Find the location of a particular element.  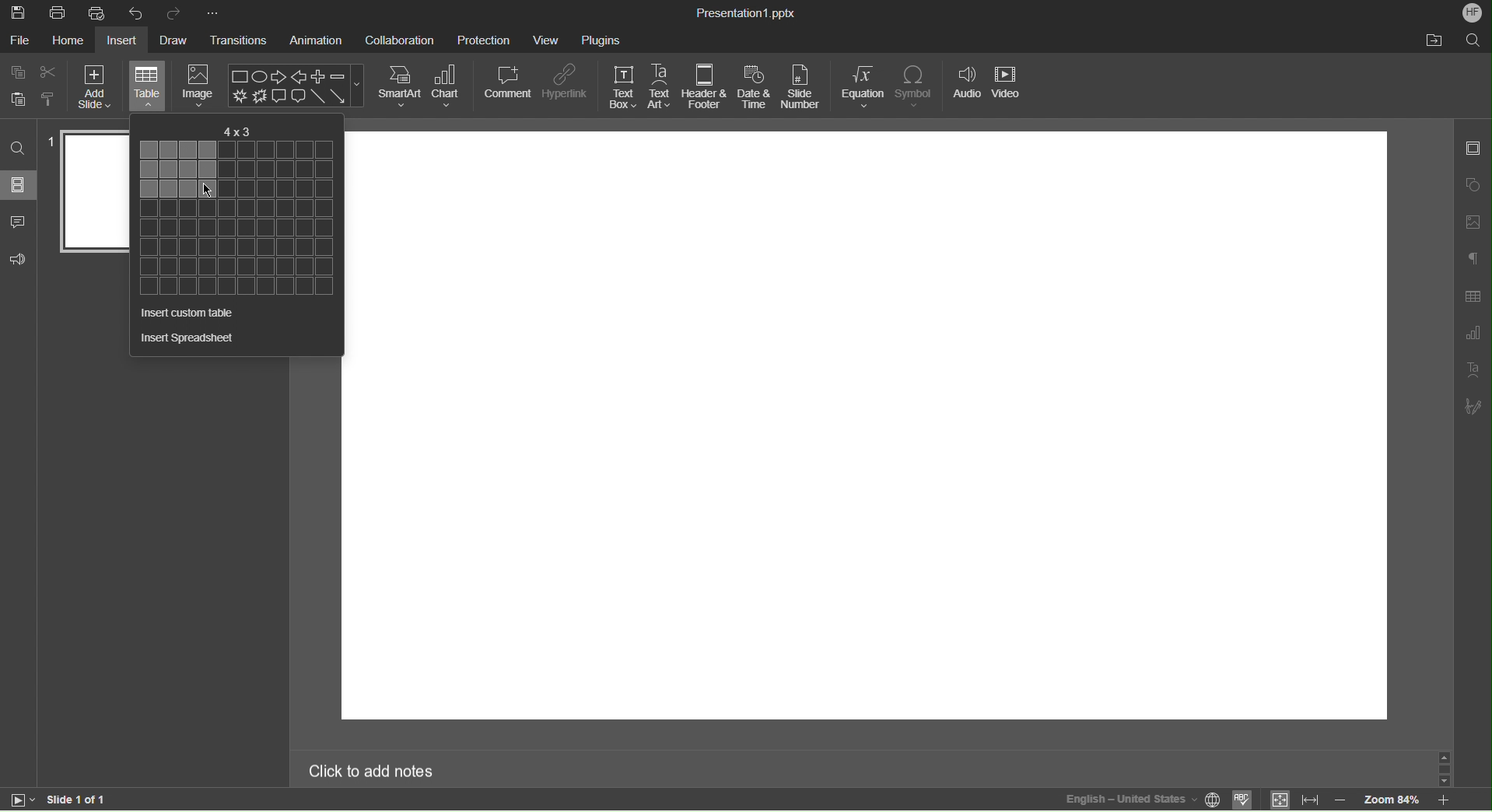

Insert spreadsheet is located at coordinates (187, 337).